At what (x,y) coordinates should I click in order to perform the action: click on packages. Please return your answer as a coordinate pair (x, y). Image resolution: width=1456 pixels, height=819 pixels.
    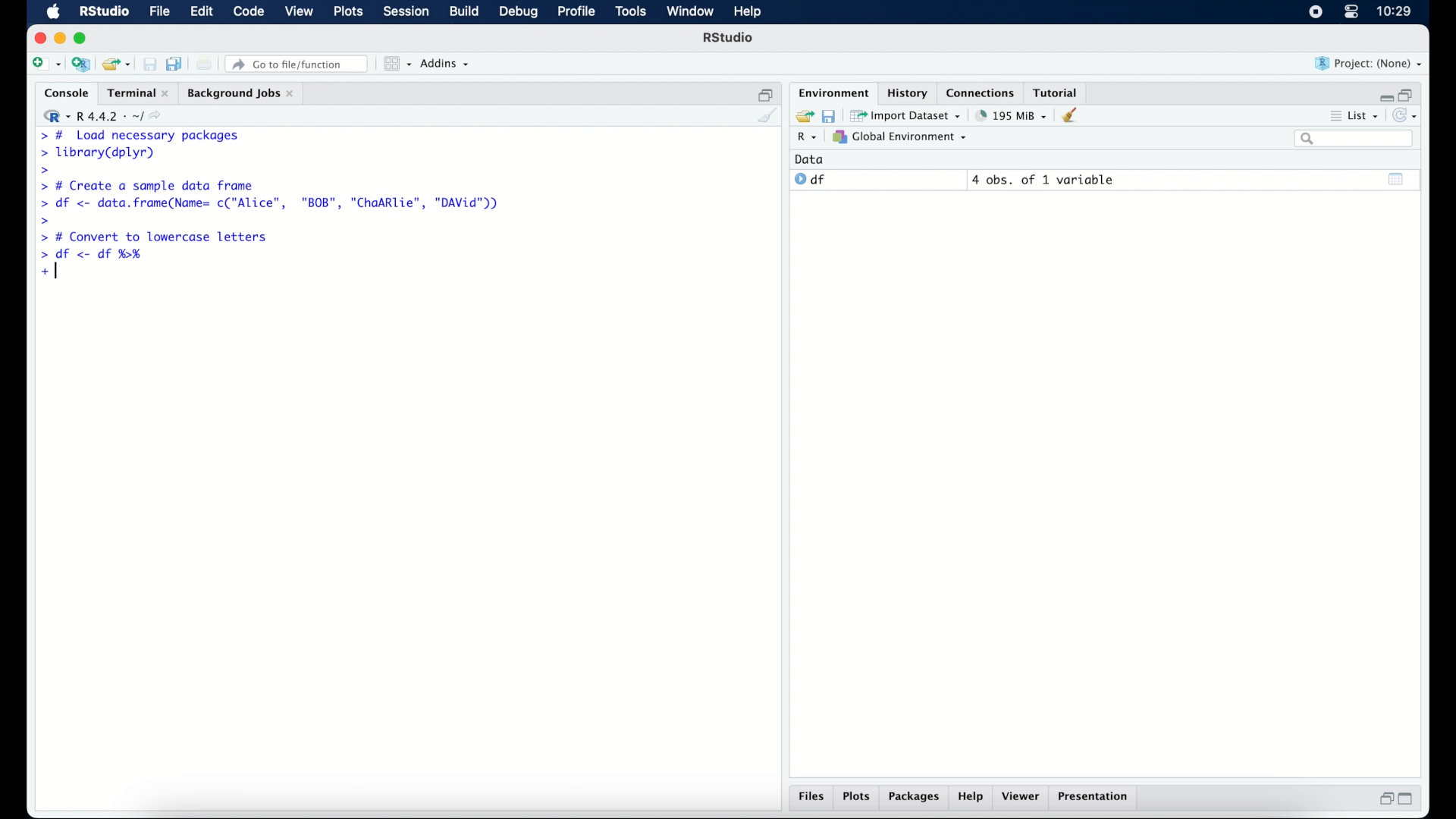
    Looking at the image, I should click on (915, 799).